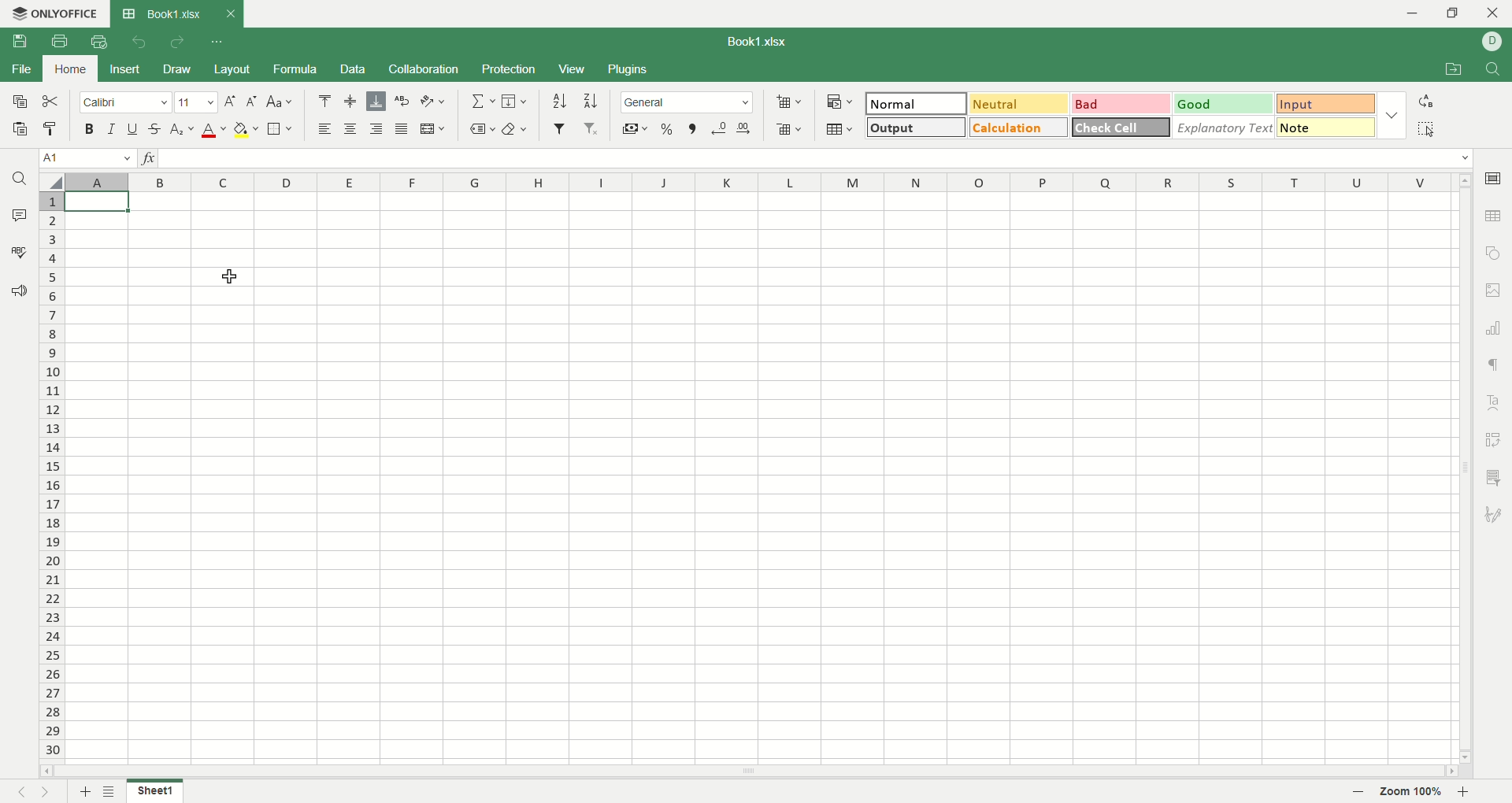 This screenshot has width=1512, height=803. Describe the element at coordinates (112, 790) in the screenshot. I see `sheet list` at that location.